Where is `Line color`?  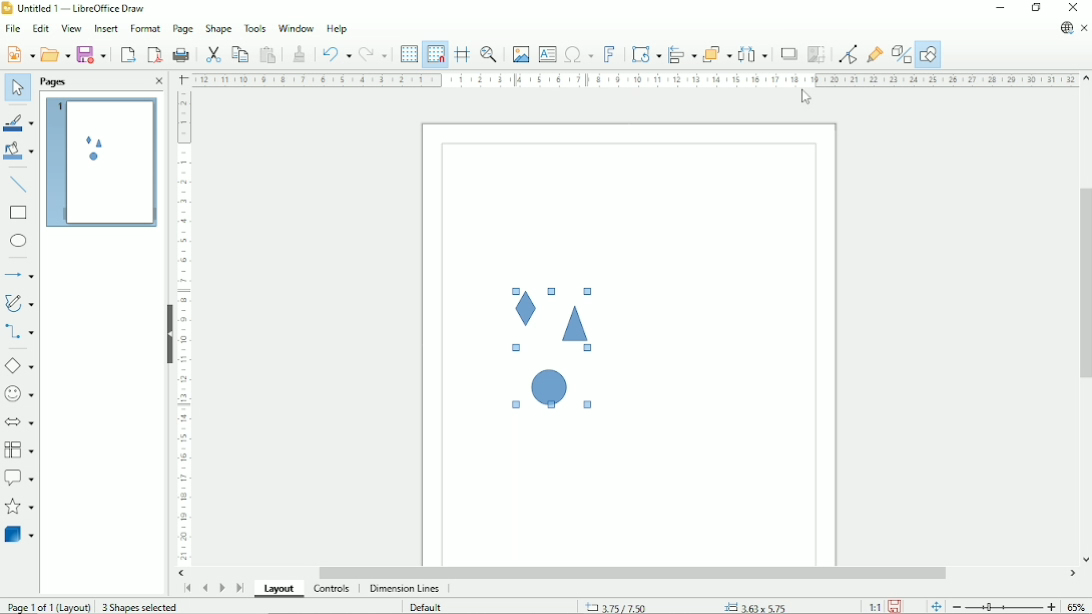 Line color is located at coordinates (18, 120).